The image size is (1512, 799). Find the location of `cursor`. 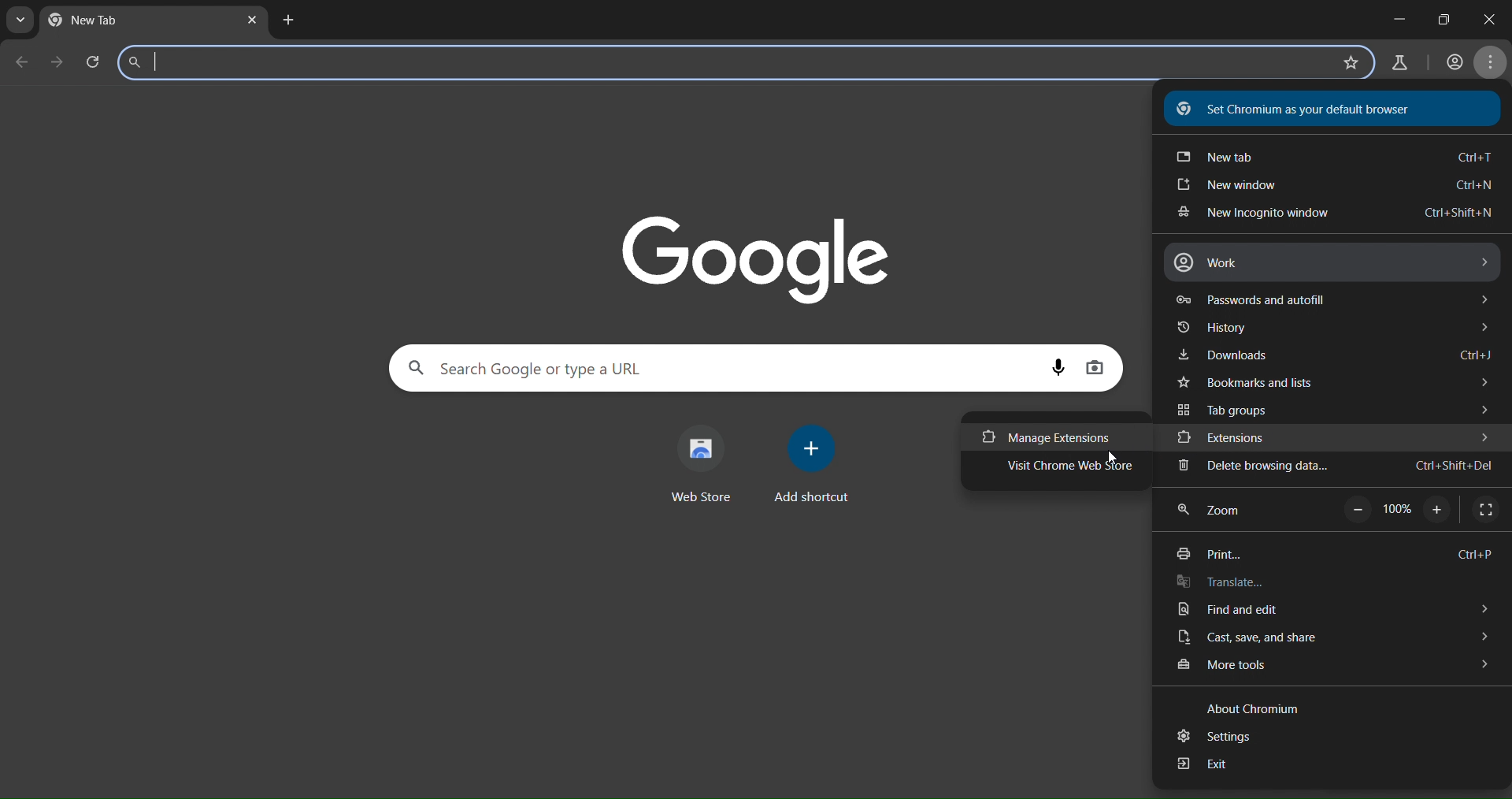

cursor is located at coordinates (1110, 460).